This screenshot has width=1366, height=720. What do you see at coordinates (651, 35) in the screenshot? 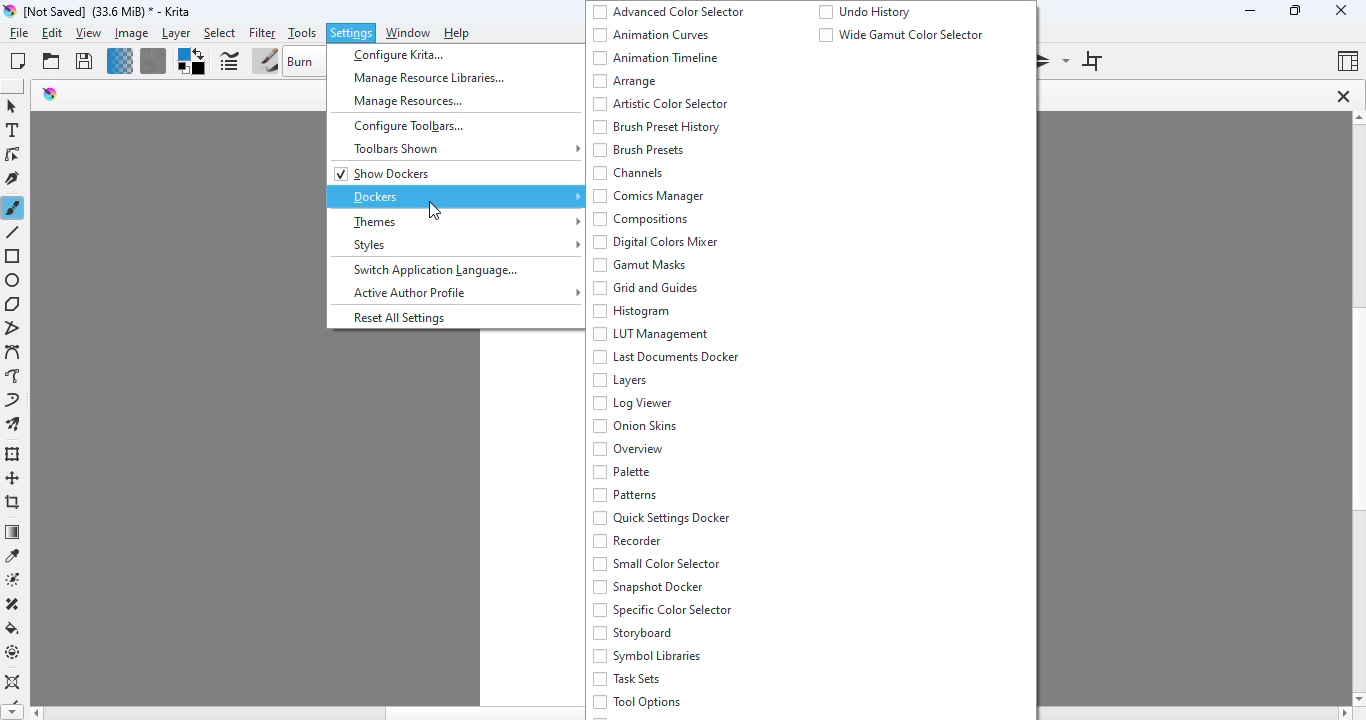
I see `animation curves` at bounding box center [651, 35].